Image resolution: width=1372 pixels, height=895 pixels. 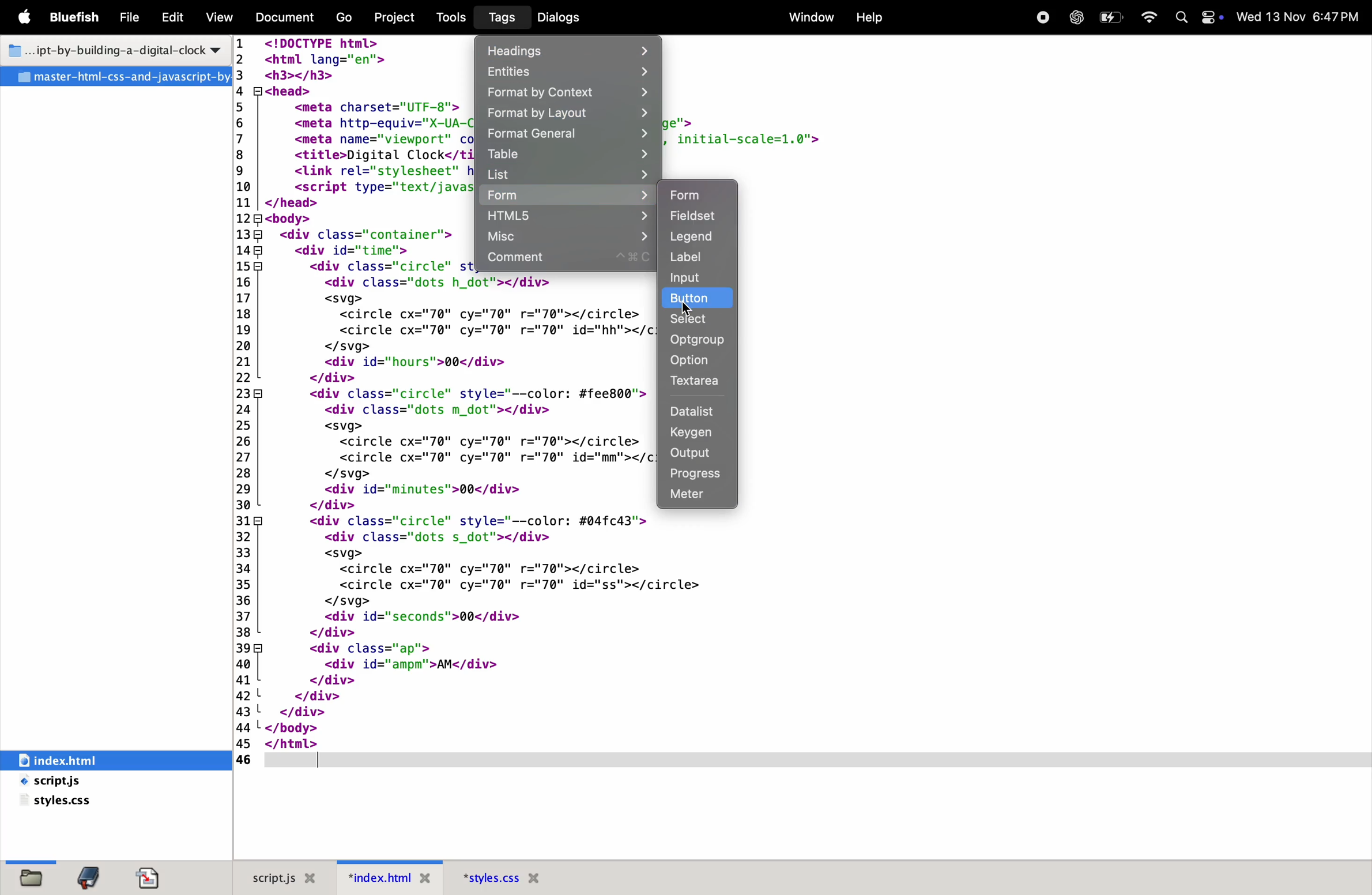 What do you see at coordinates (696, 411) in the screenshot?
I see `data list` at bounding box center [696, 411].